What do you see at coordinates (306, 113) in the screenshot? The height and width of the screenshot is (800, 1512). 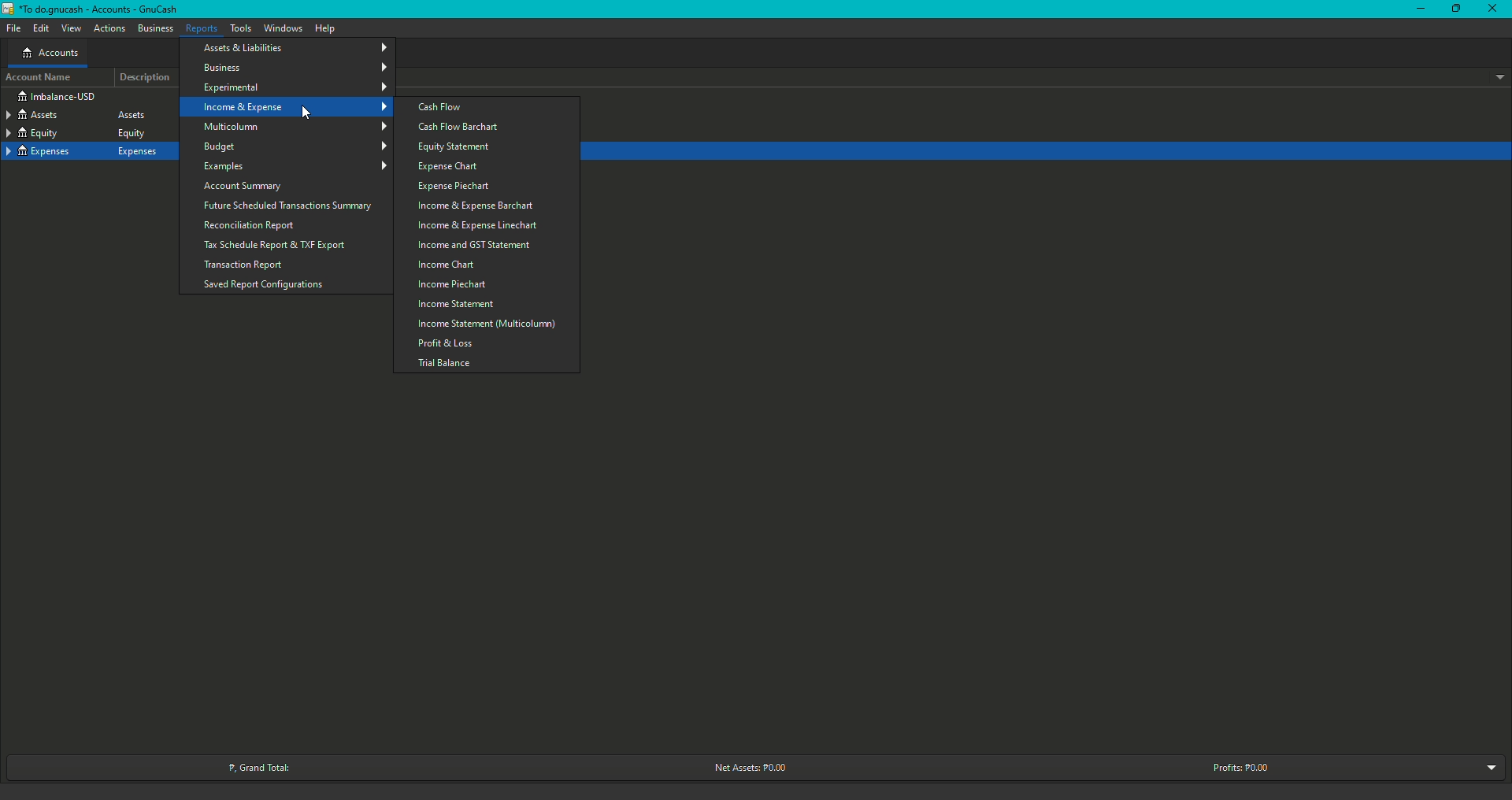 I see `cursor` at bounding box center [306, 113].